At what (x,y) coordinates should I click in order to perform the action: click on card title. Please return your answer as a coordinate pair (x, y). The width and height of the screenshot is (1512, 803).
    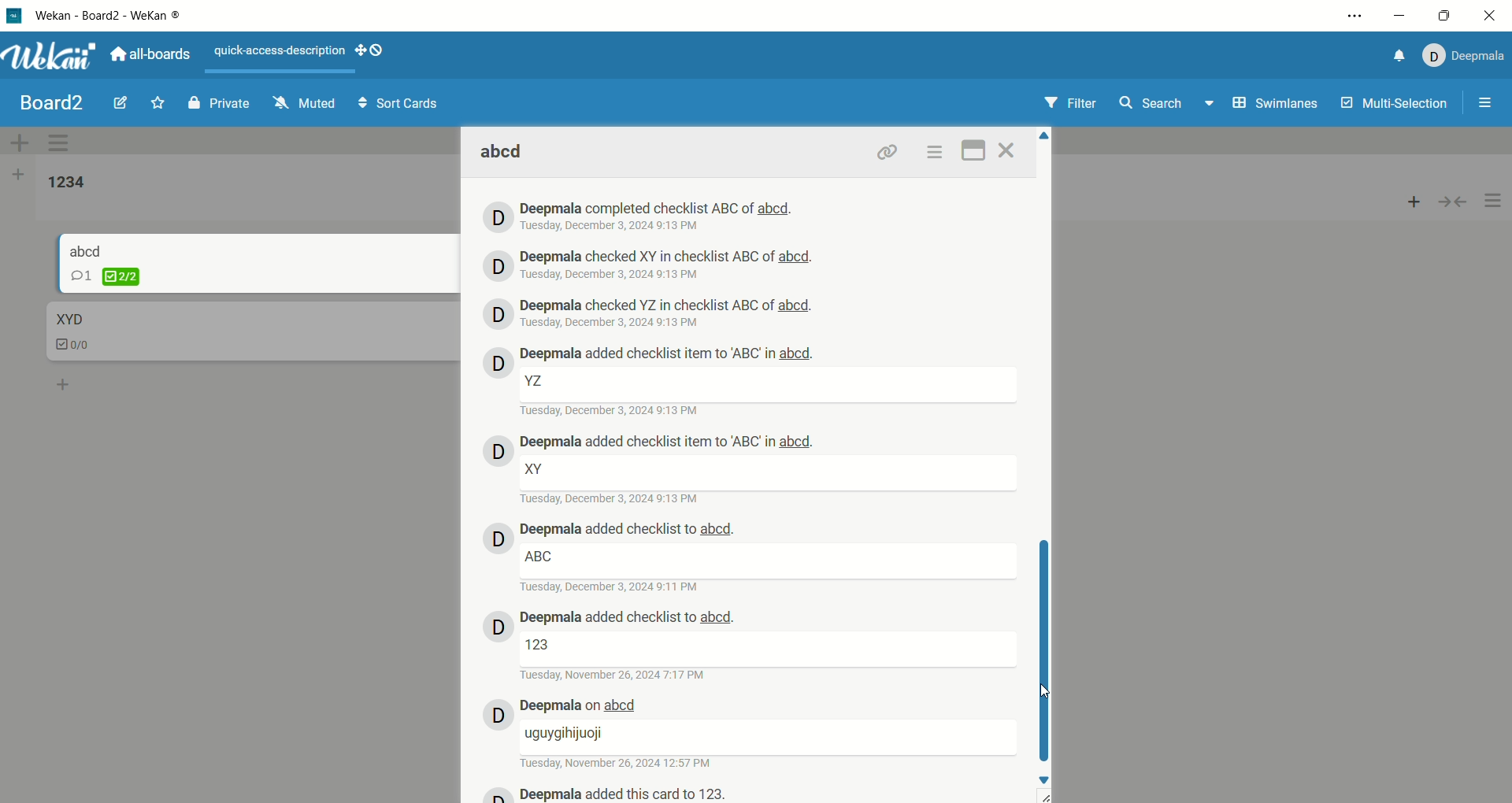
    Looking at the image, I should click on (87, 250).